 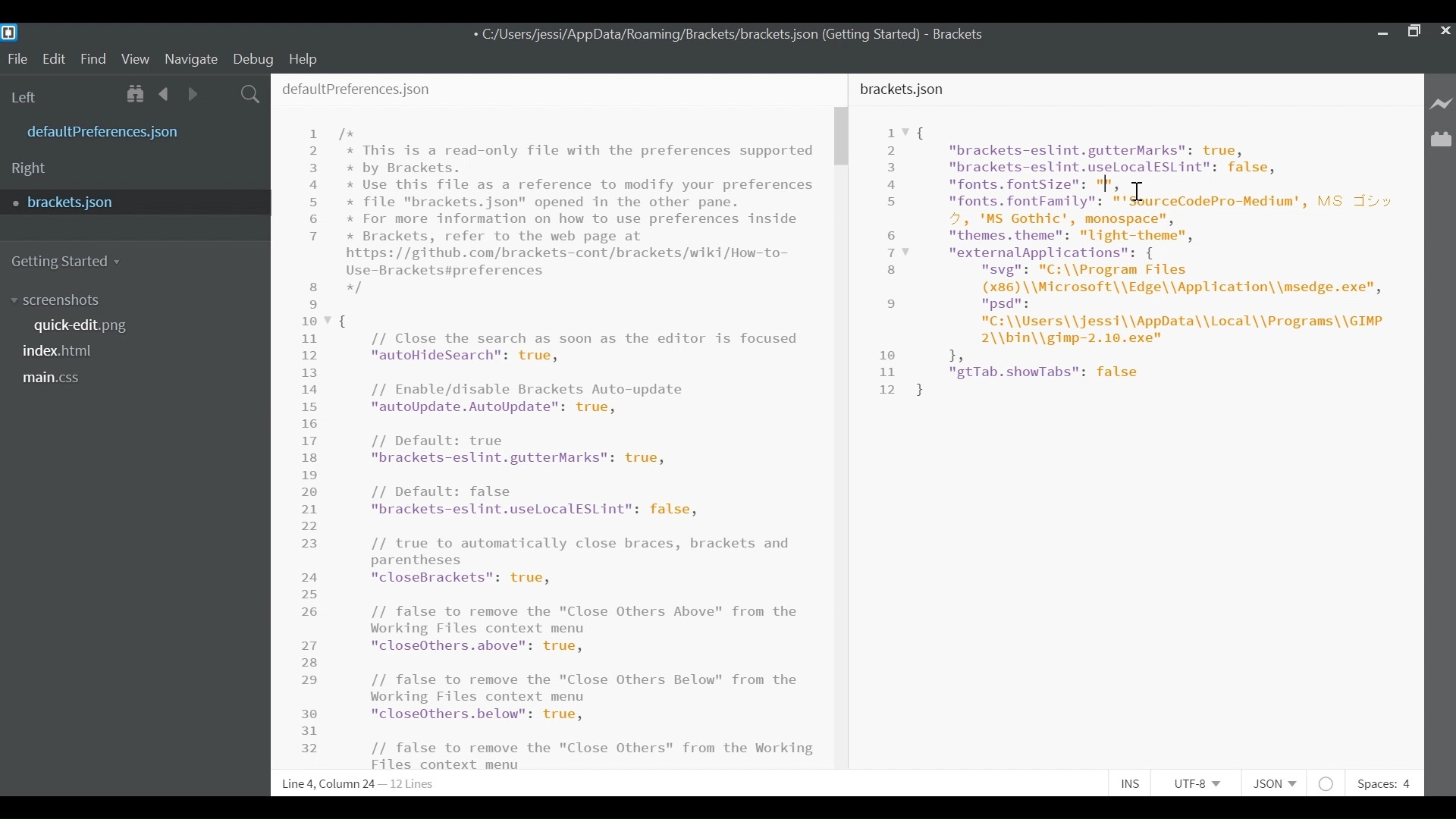 What do you see at coordinates (56, 59) in the screenshot?
I see `Edit` at bounding box center [56, 59].